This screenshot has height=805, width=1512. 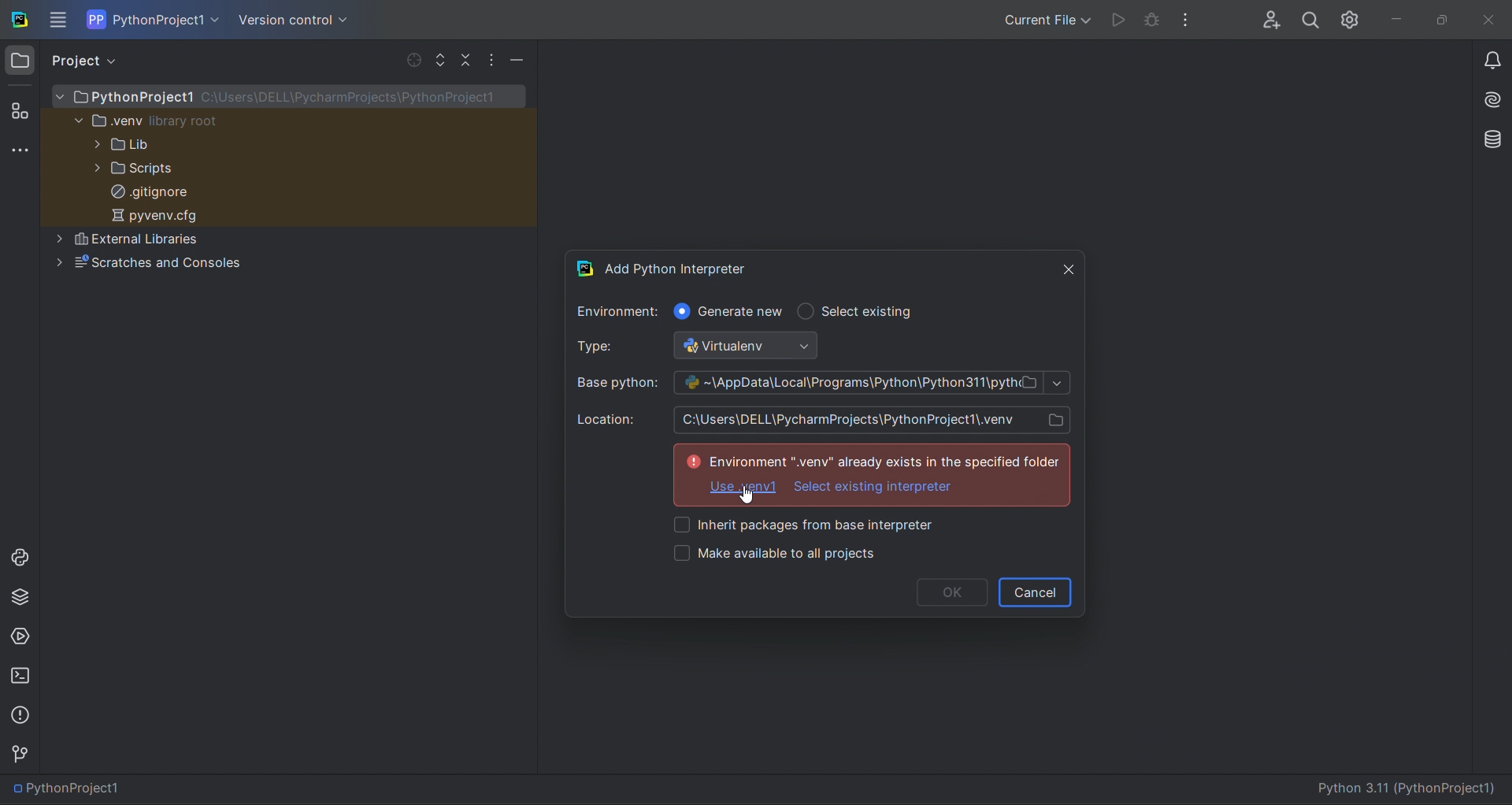 I want to click on minimize, so click(x=1394, y=19).